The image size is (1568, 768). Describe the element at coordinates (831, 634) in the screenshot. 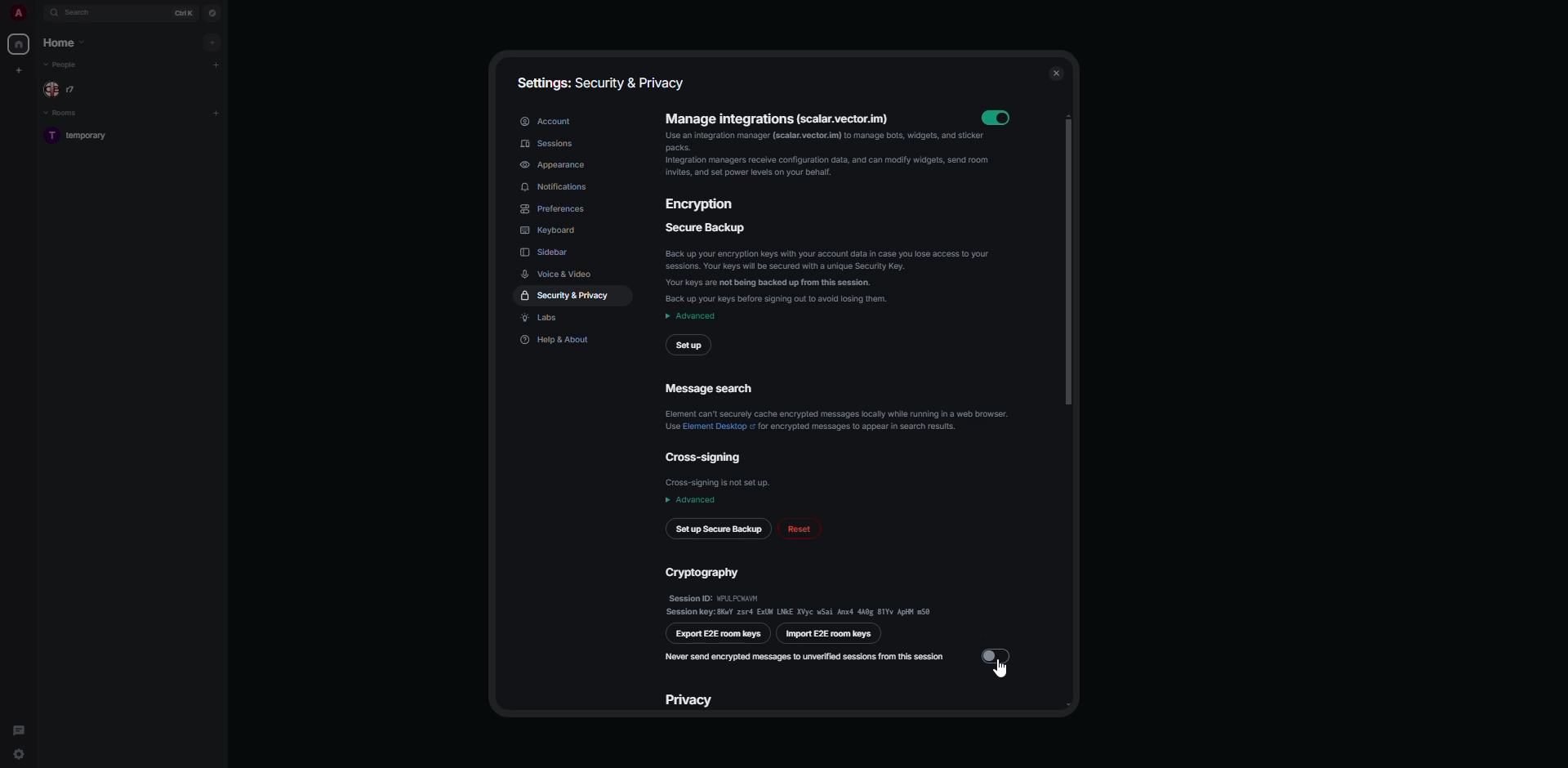

I see `import e2e room keys` at that location.